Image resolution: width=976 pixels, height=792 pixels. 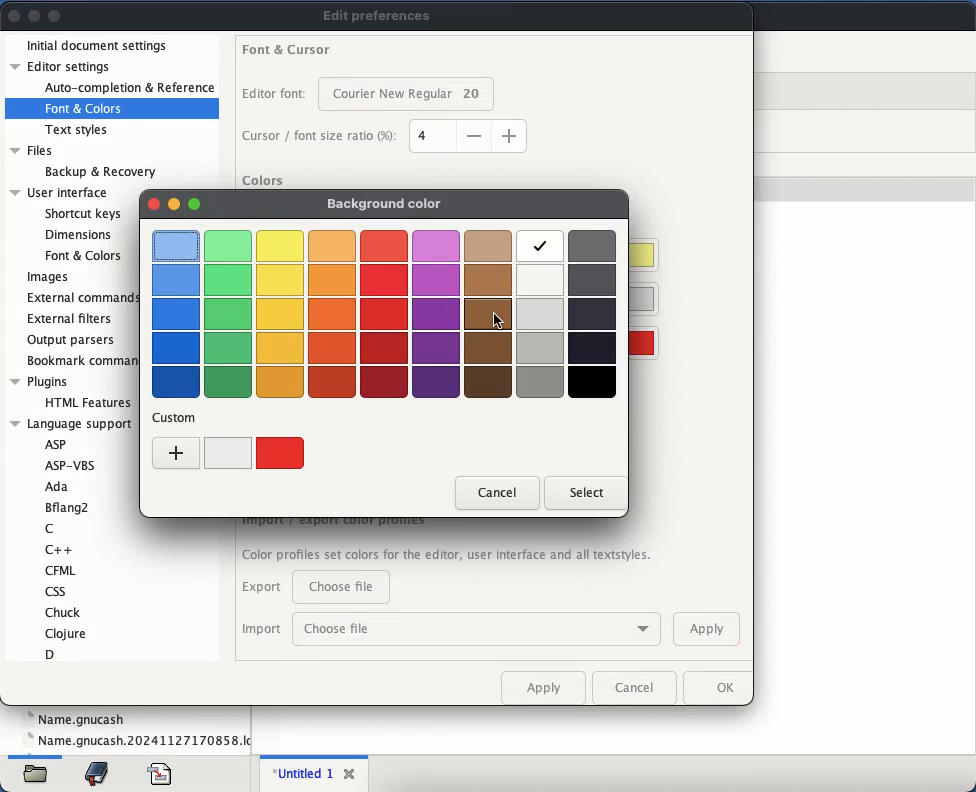 What do you see at coordinates (381, 14) in the screenshot?
I see `edit preferences` at bounding box center [381, 14].